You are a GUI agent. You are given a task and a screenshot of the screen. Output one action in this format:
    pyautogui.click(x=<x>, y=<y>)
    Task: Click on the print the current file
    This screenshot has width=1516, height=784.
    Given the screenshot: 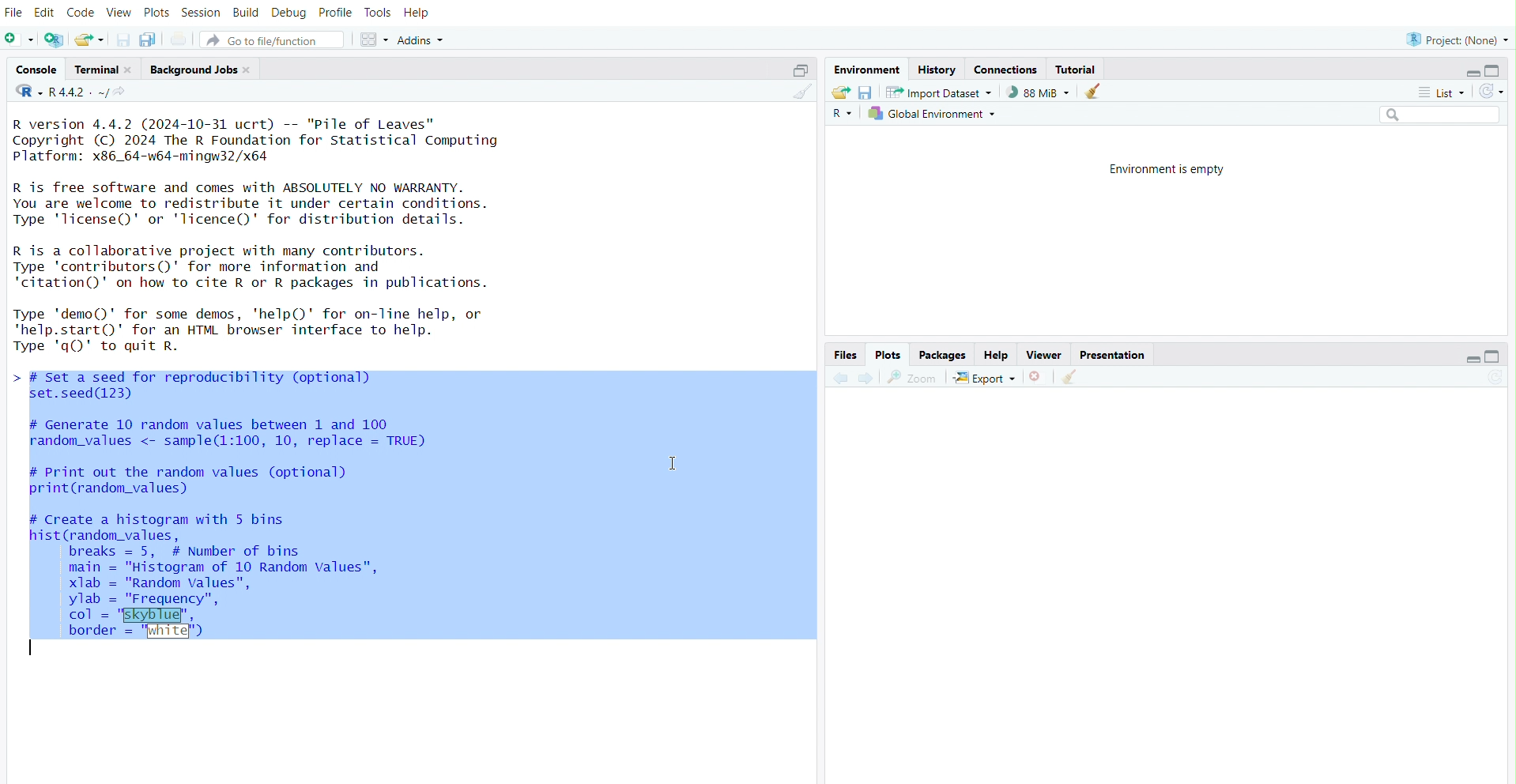 What is the action you would take?
    pyautogui.click(x=181, y=38)
    